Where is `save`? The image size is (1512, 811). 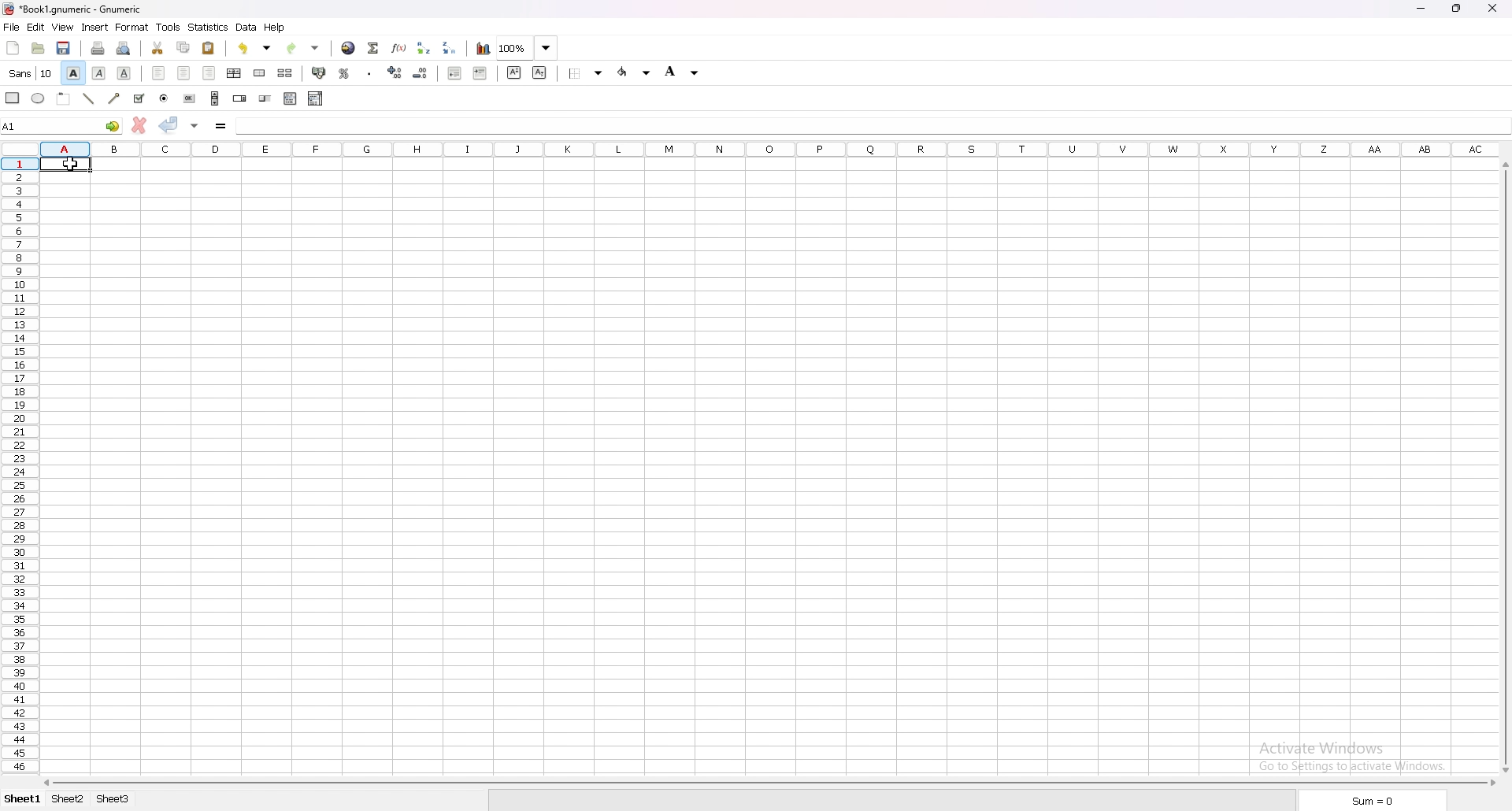
save is located at coordinates (64, 48).